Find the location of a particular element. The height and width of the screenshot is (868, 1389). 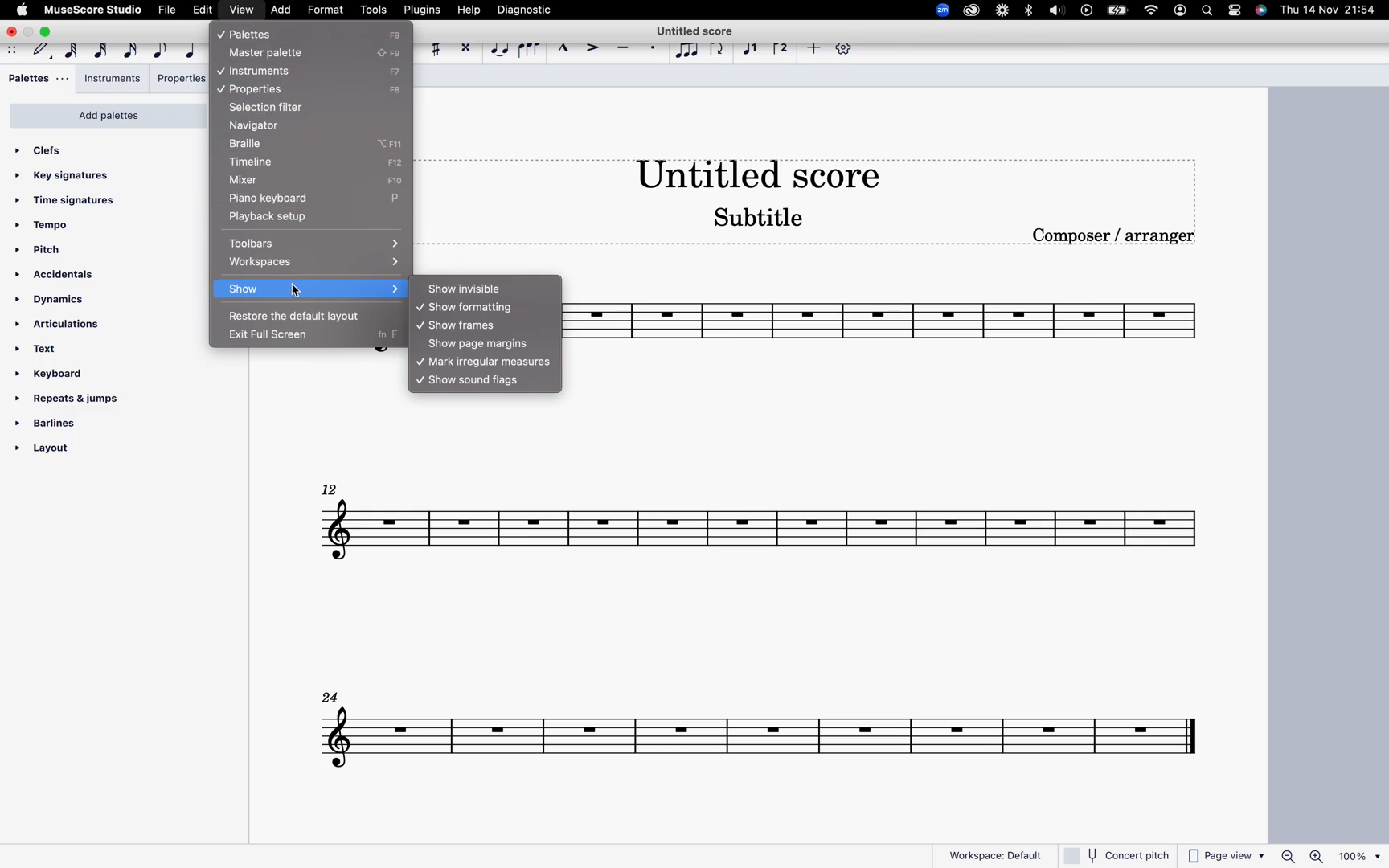

plugins is located at coordinates (421, 10).